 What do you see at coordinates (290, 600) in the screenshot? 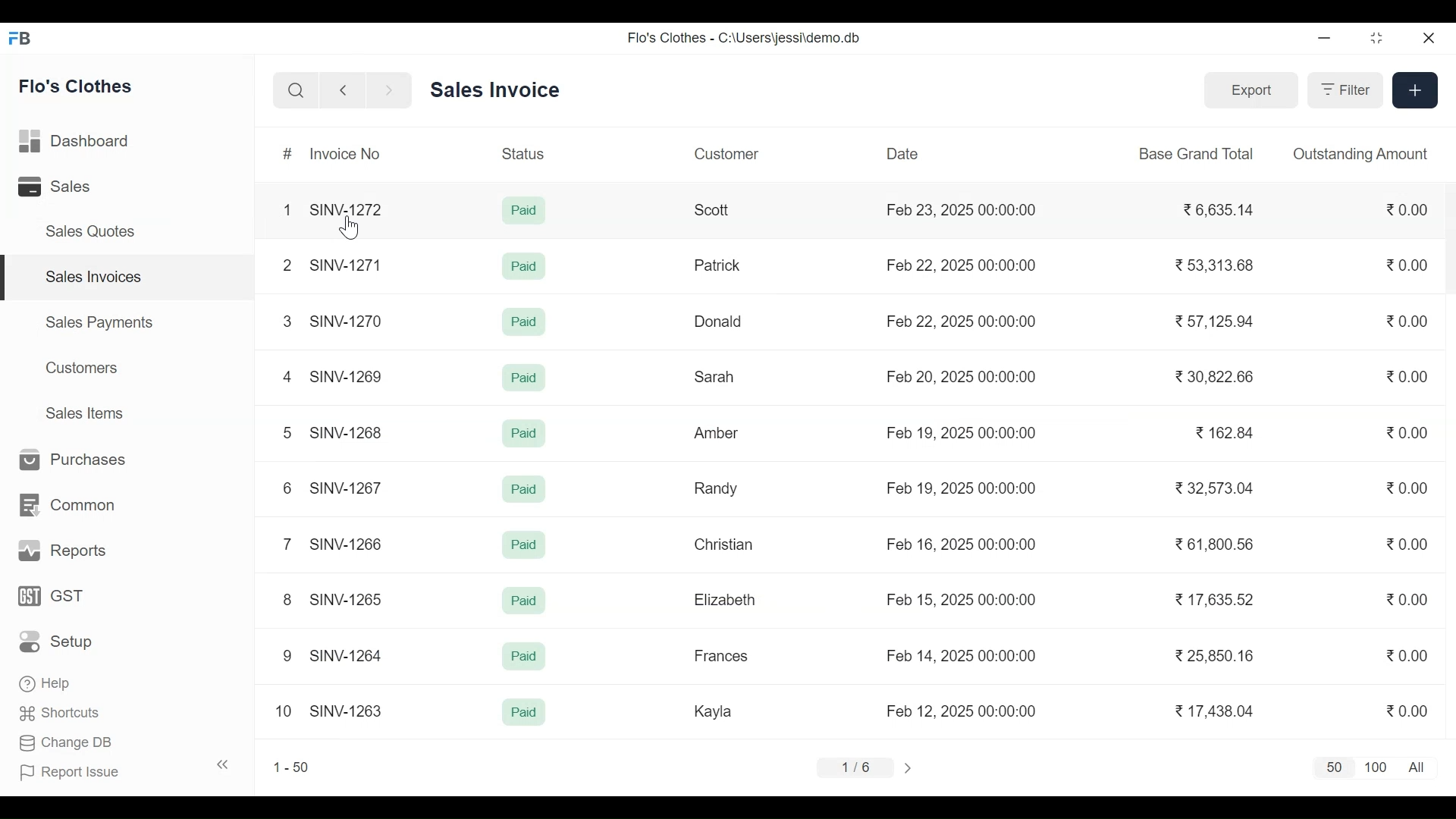
I see `8` at bounding box center [290, 600].